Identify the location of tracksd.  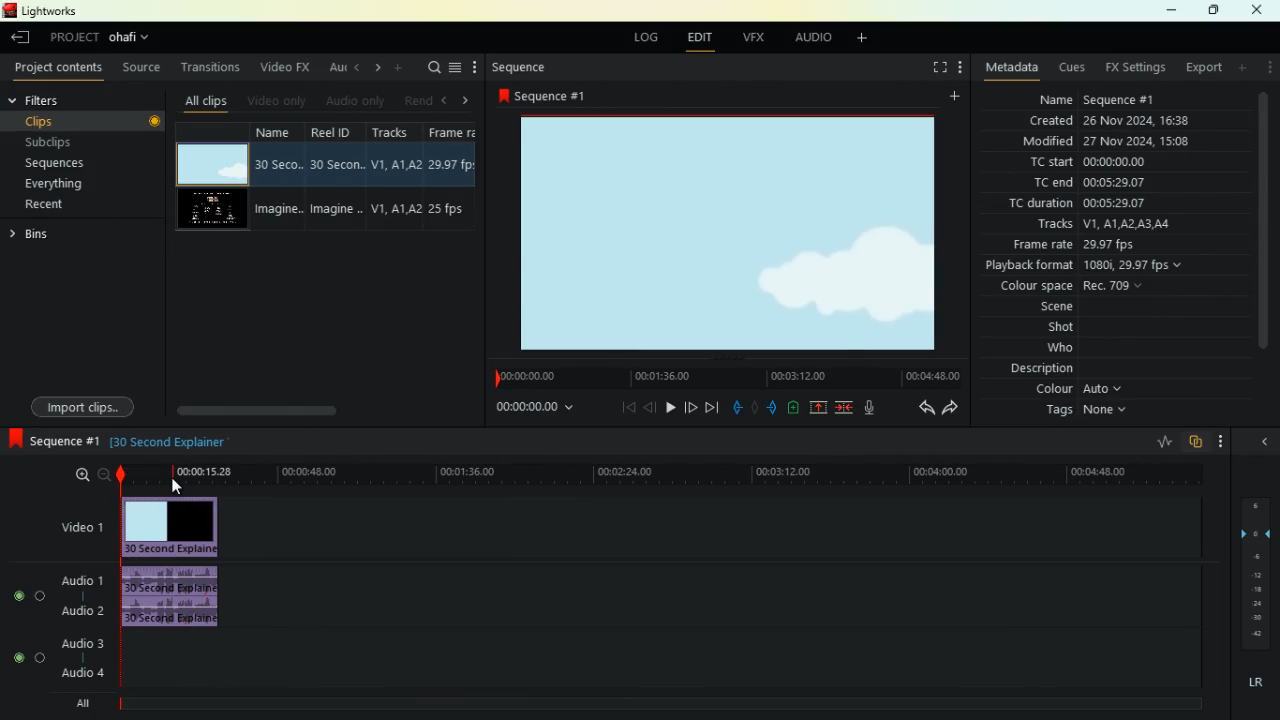
(396, 133).